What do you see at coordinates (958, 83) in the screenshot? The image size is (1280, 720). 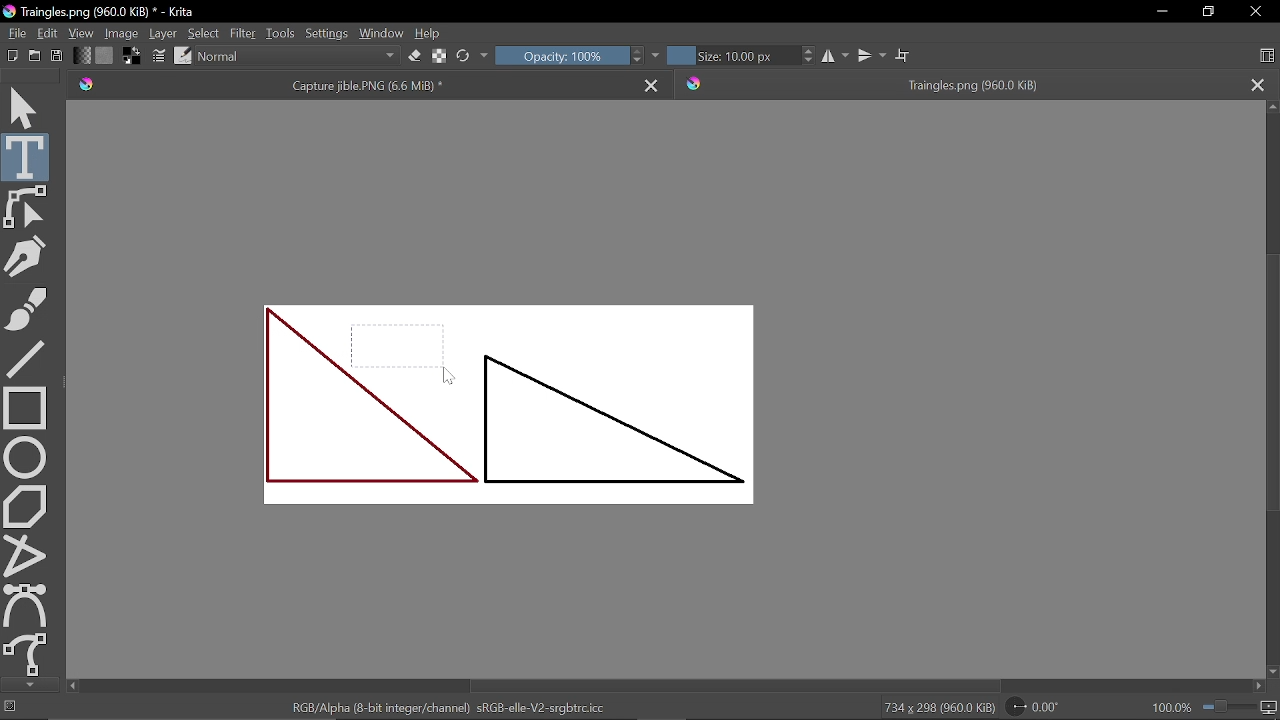 I see `tab` at bounding box center [958, 83].